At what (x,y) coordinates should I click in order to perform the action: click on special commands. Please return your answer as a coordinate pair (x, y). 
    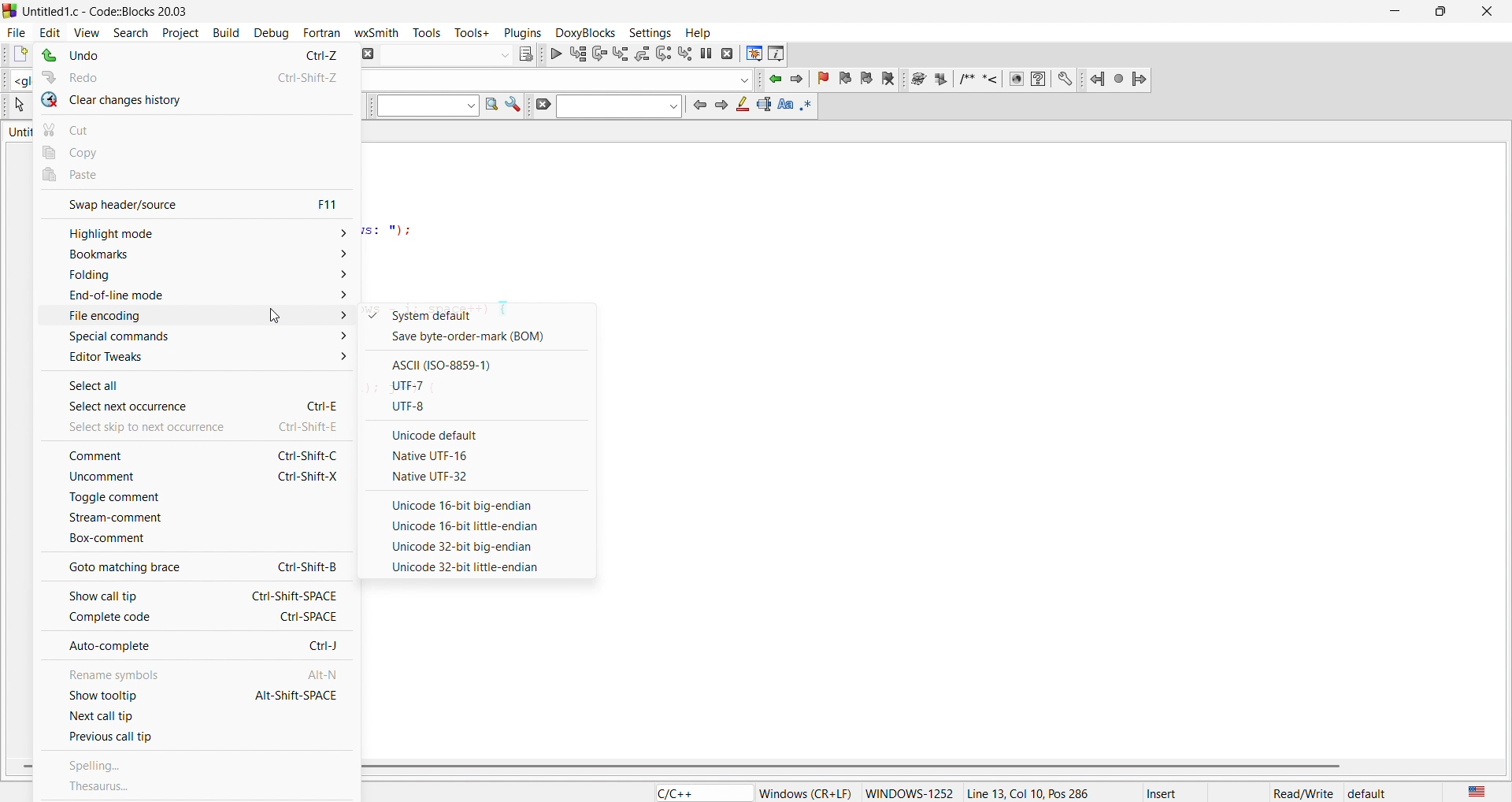
    Looking at the image, I should click on (198, 337).